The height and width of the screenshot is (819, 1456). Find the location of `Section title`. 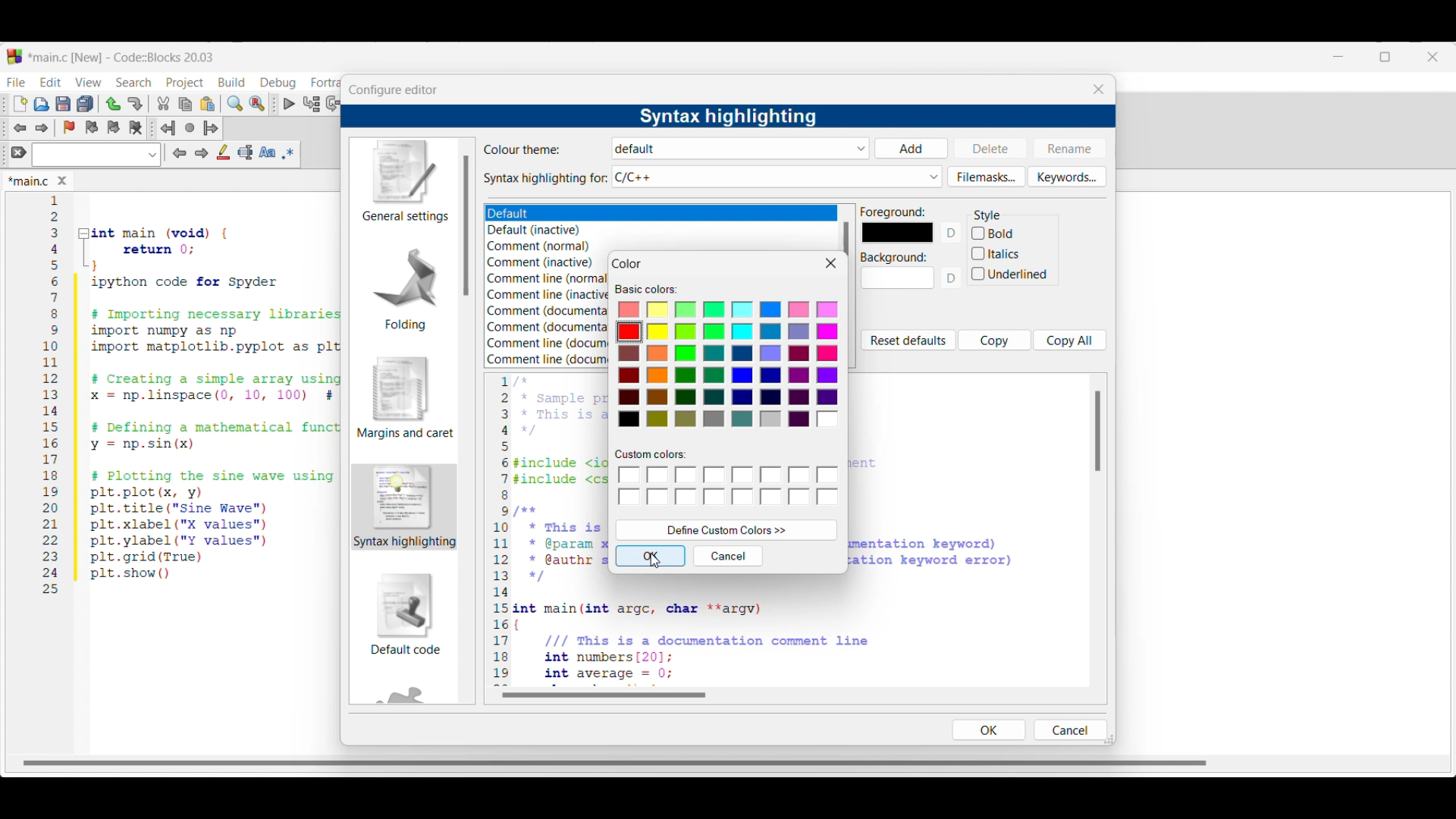

Section title is located at coordinates (987, 215).